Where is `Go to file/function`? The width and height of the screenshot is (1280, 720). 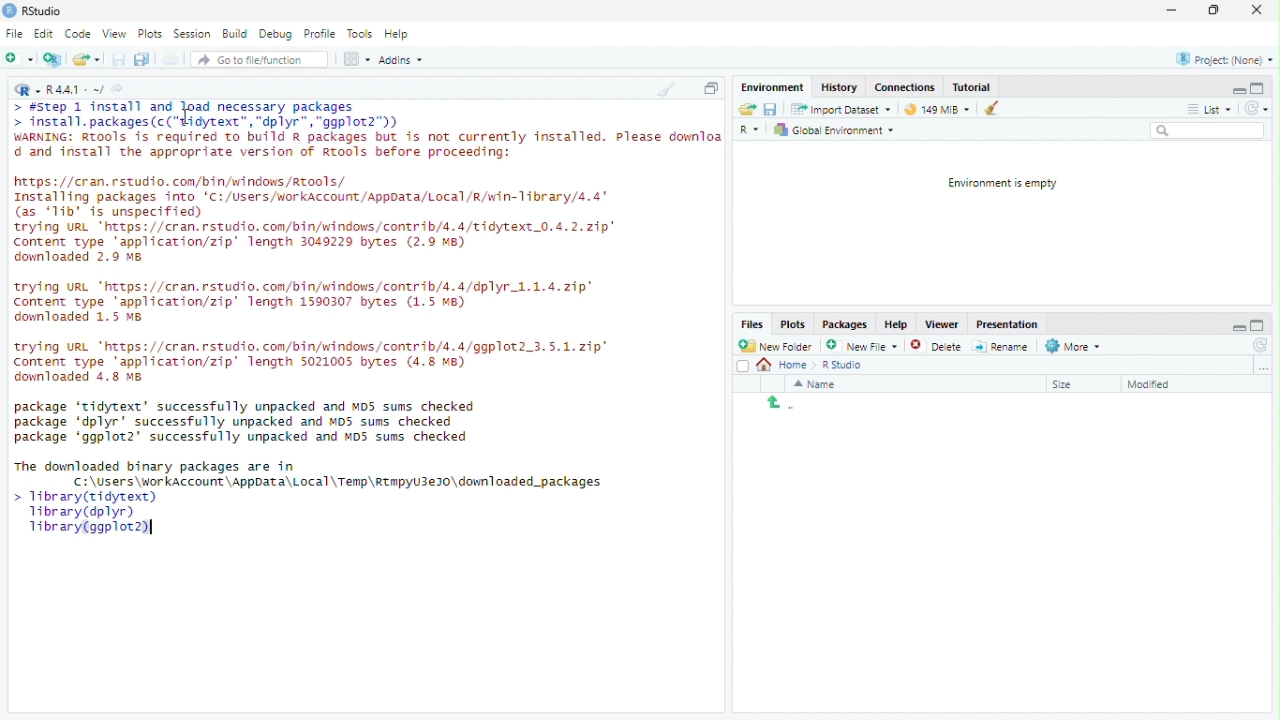 Go to file/function is located at coordinates (252, 60).